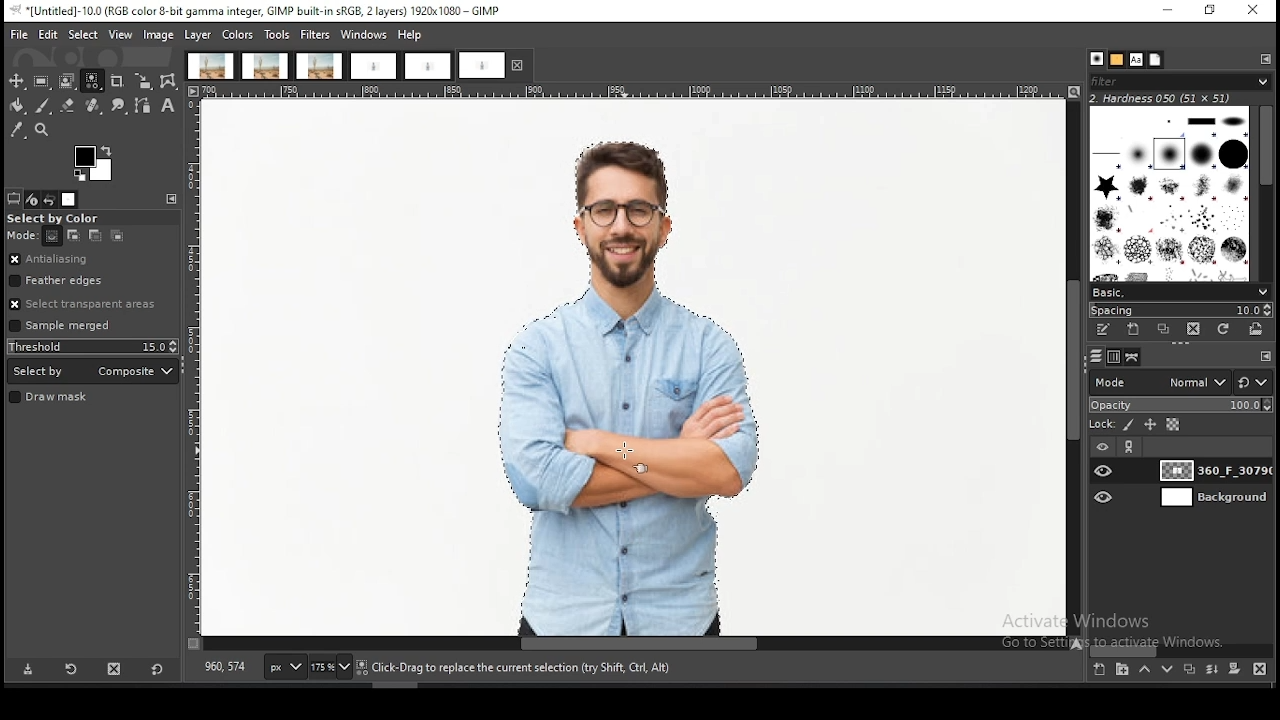 The image size is (1280, 720). I want to click on layer visibility on/off, so click(1103, 448).